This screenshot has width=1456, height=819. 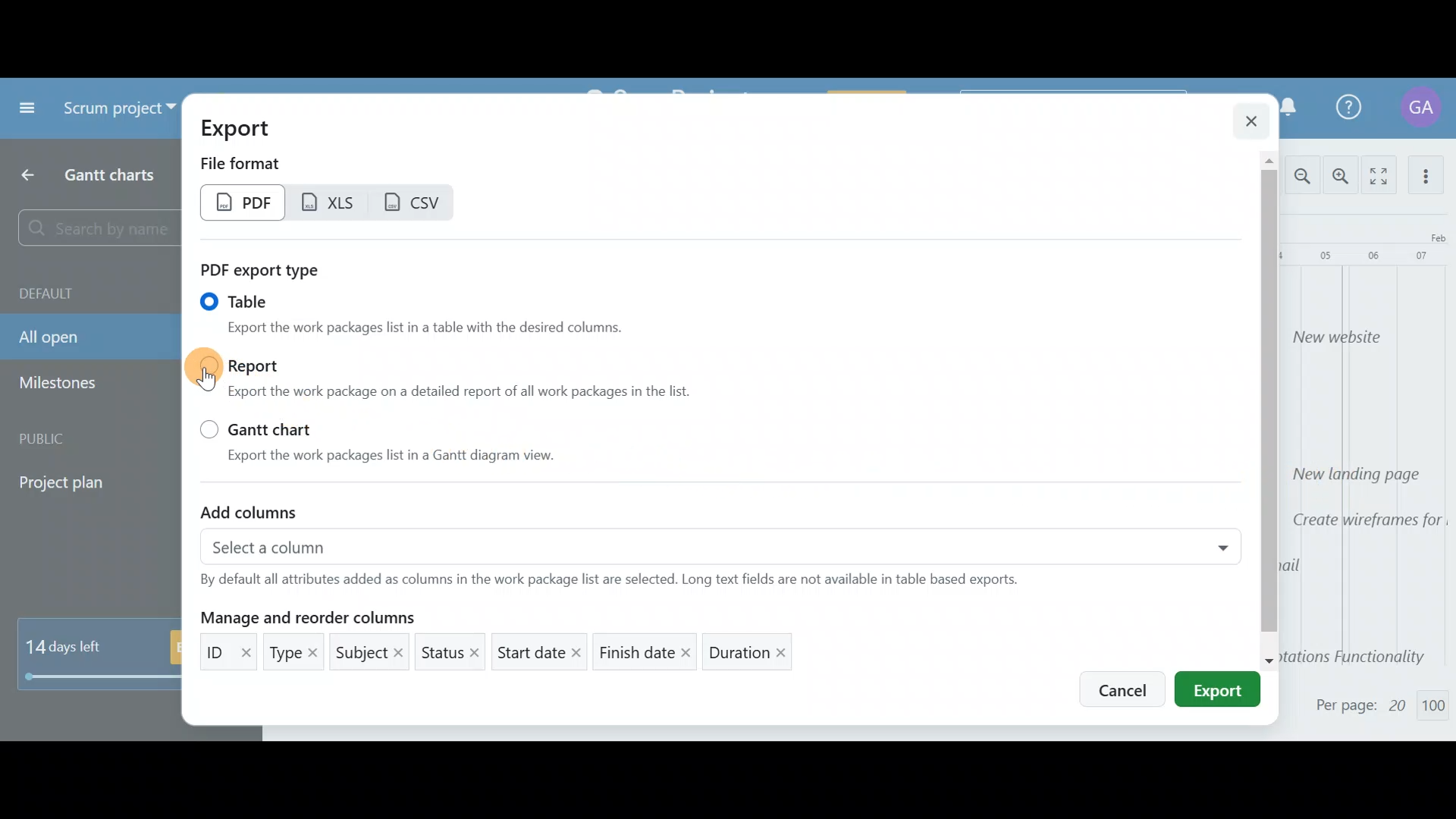 I want to click on Close, so click(x=1247, y=122).